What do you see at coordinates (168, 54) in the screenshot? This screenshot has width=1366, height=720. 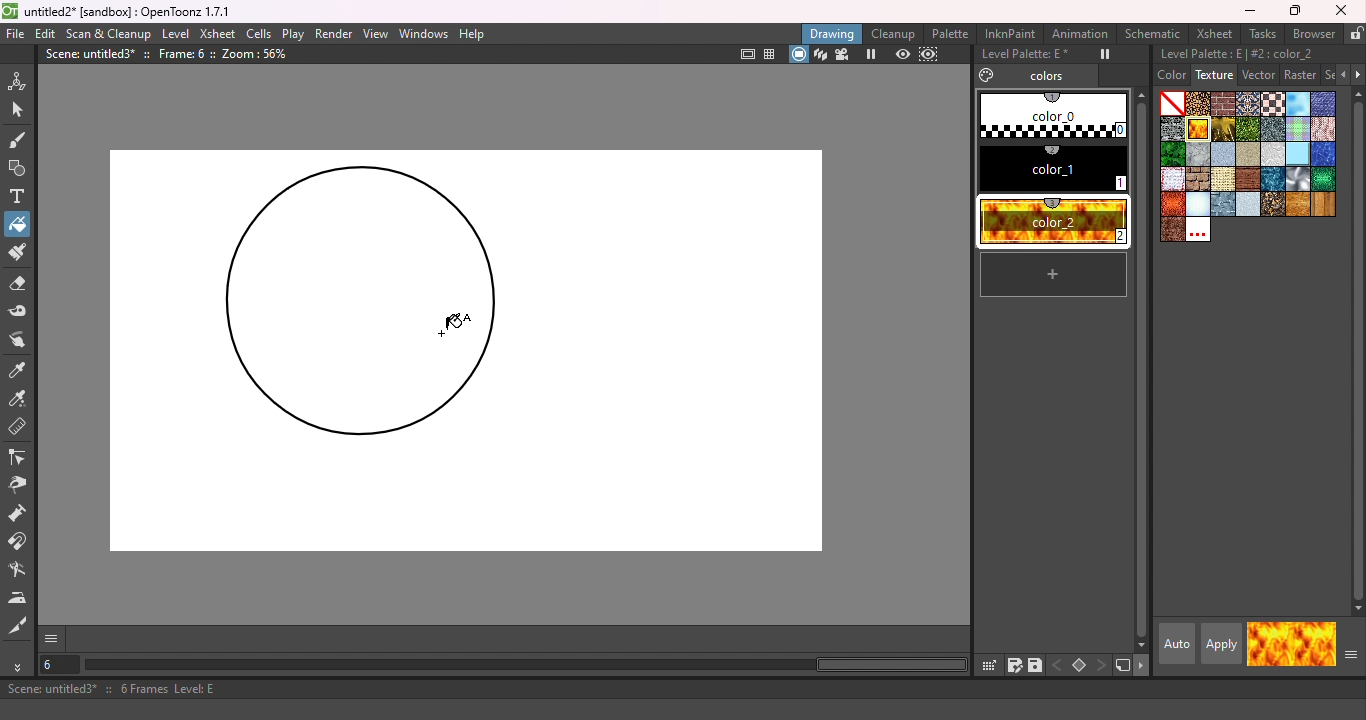 I see `Scene: untitled3* :: Frame: 6 :: Zoom: 56%` at bounding box center [168, 54].